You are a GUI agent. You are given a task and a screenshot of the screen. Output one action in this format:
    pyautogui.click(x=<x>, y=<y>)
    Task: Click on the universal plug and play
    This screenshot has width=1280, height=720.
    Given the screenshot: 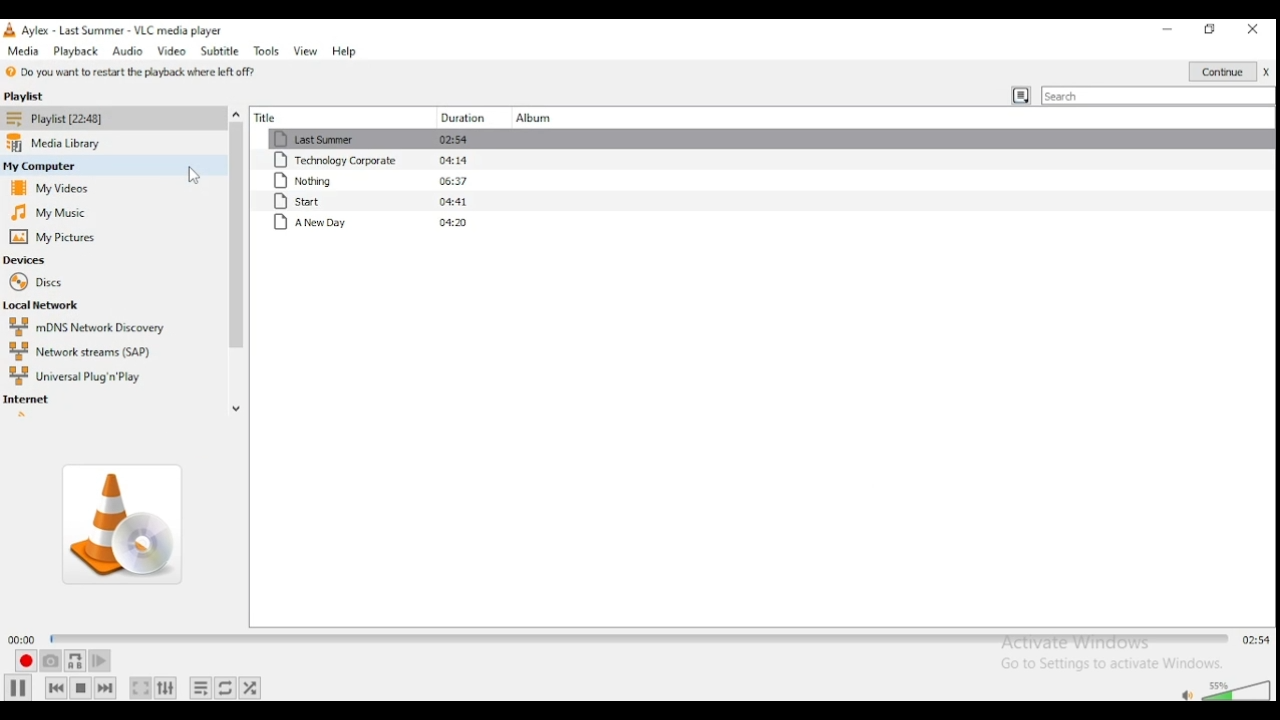 What is the action you would take?
    pyautogui.click(x=75, y=375)
    